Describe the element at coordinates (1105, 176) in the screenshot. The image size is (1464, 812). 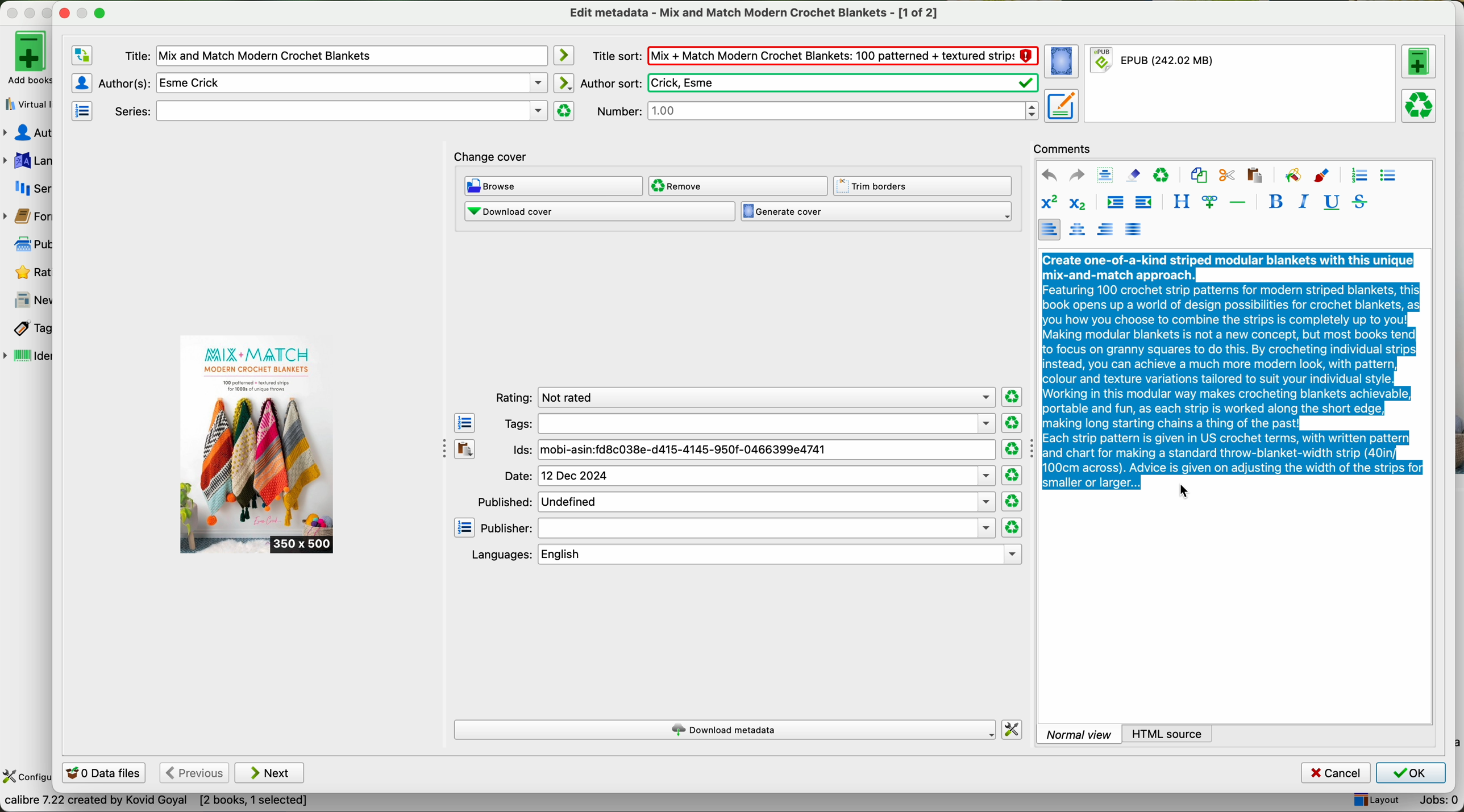
I see `select all` at that location.